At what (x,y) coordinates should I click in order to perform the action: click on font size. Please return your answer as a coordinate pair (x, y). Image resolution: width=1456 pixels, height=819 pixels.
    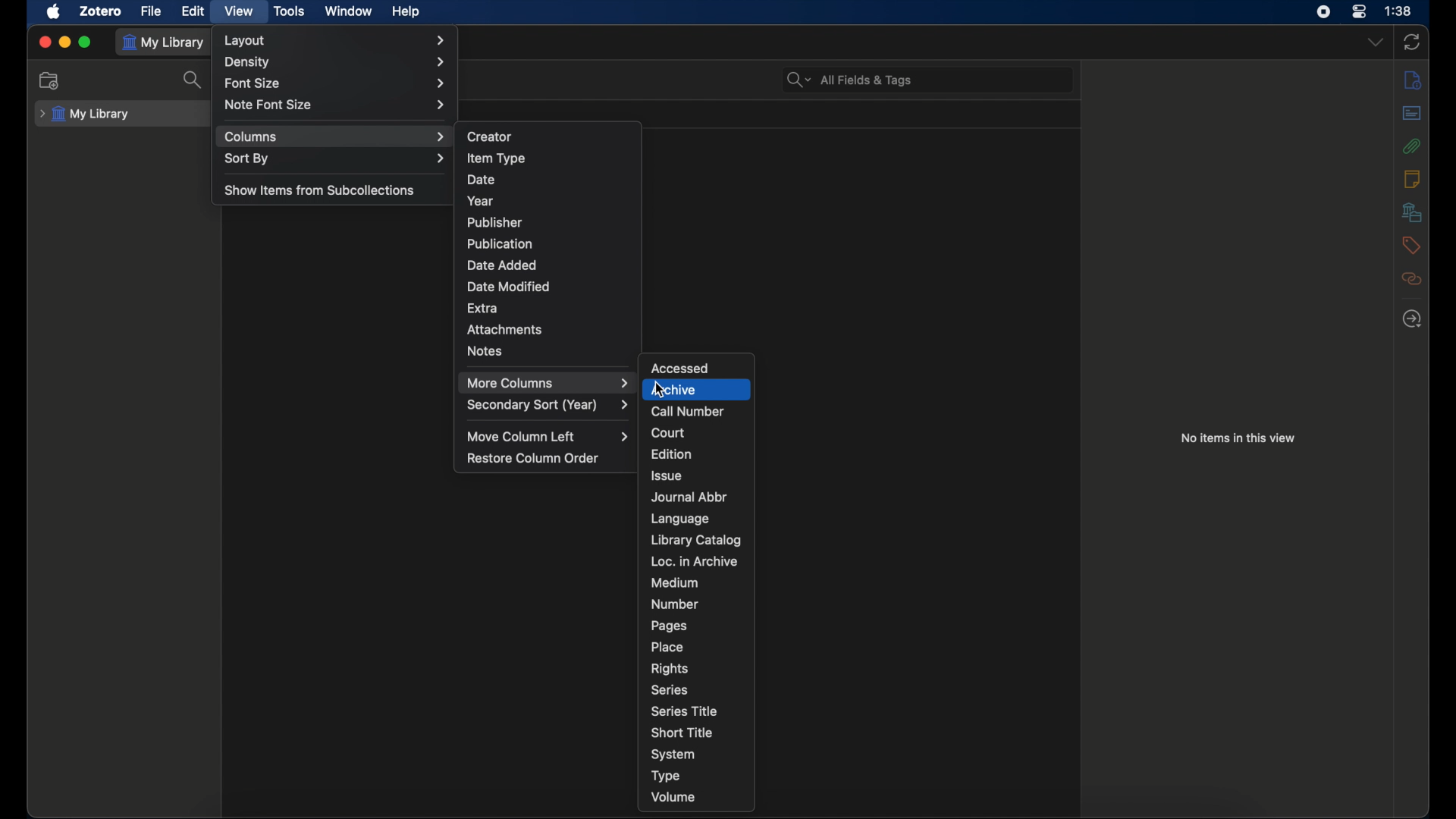
    Looking at the image, I should click on (338, 83).